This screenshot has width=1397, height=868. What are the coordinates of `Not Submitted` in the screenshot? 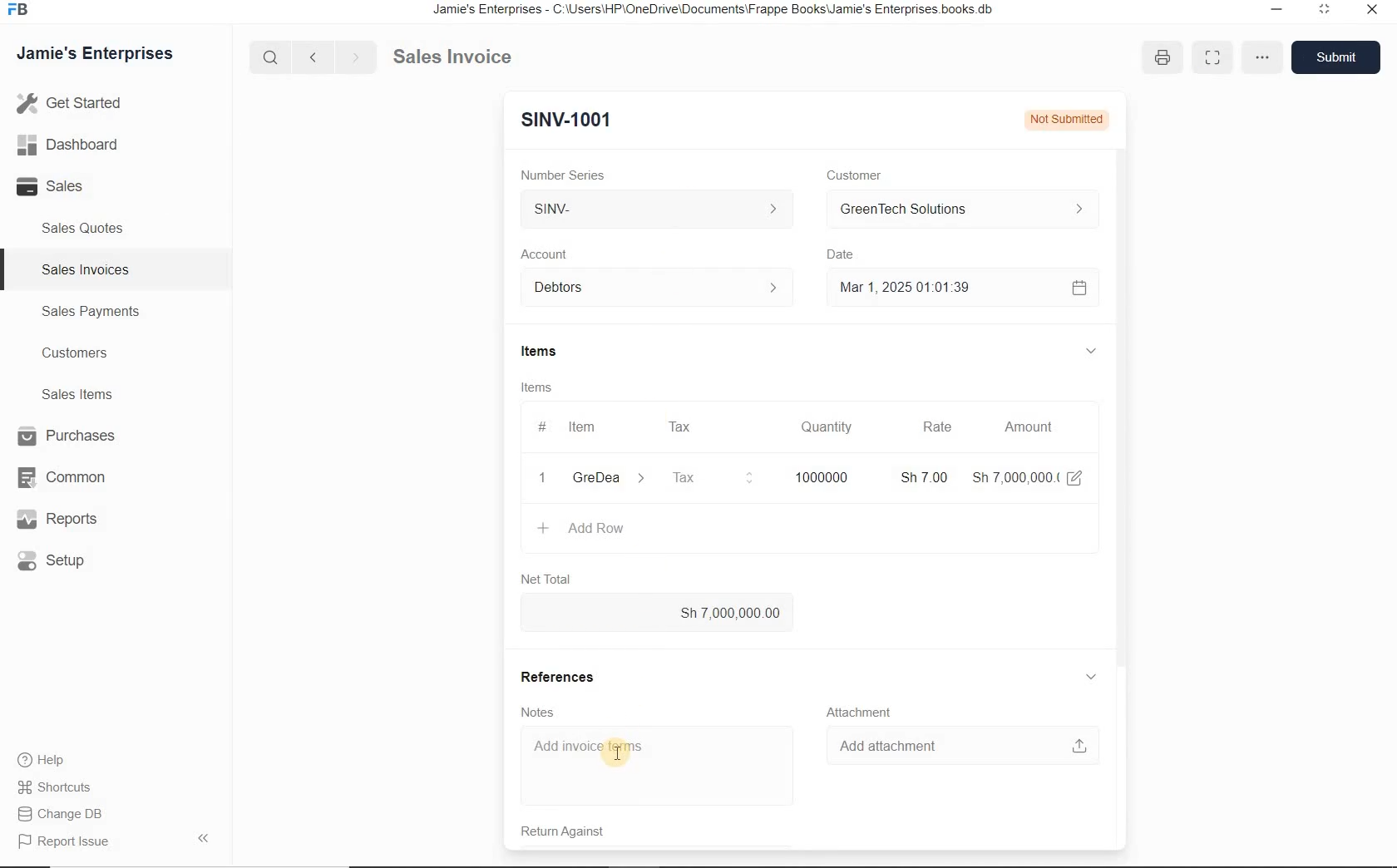 It's located at (1064, 118).